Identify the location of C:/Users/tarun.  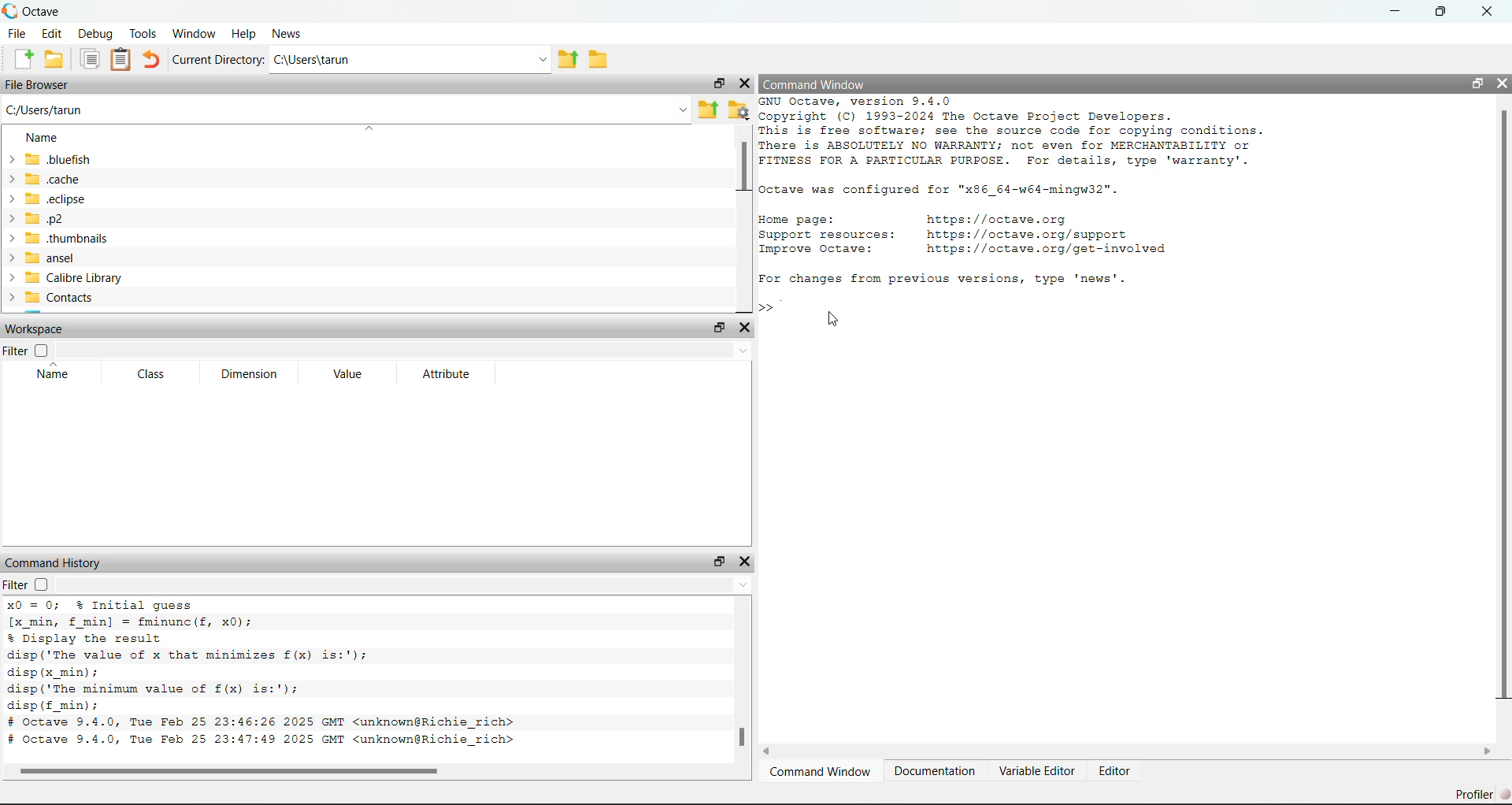
(49, 109).